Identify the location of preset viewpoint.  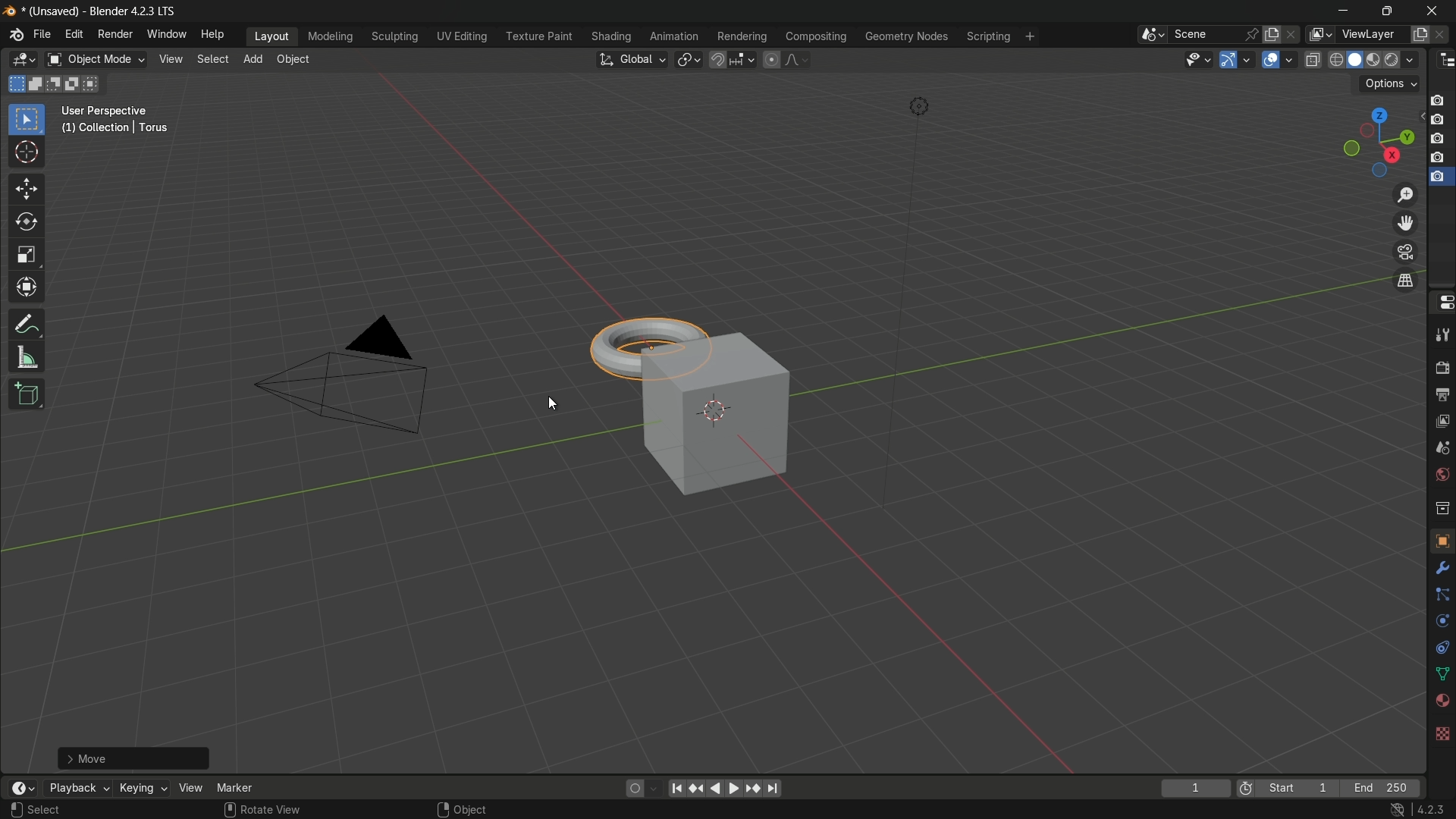
(1378, 143).